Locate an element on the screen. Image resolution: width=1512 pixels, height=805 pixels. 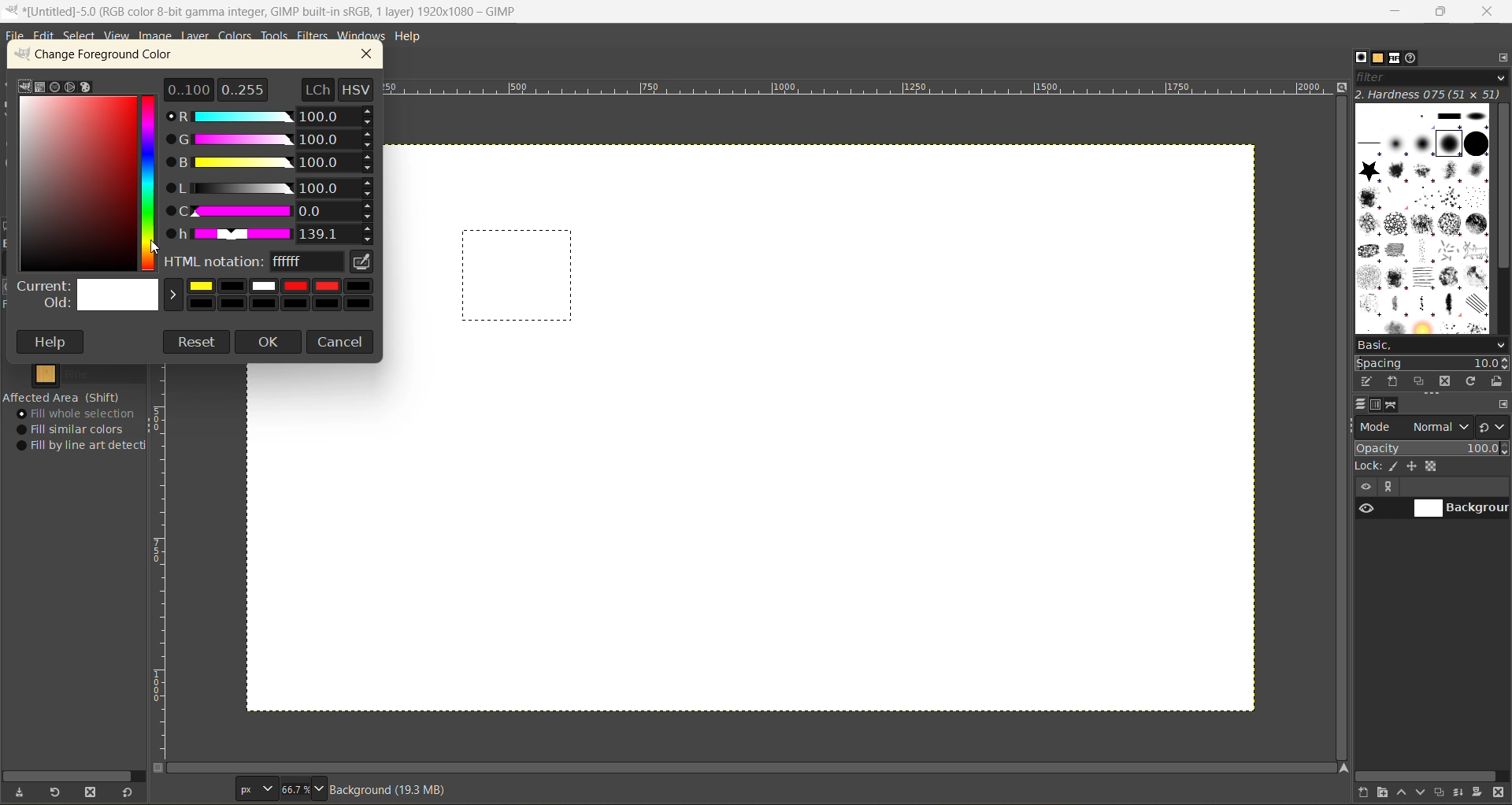
delete tool preset is located at coordinates (93, 790).